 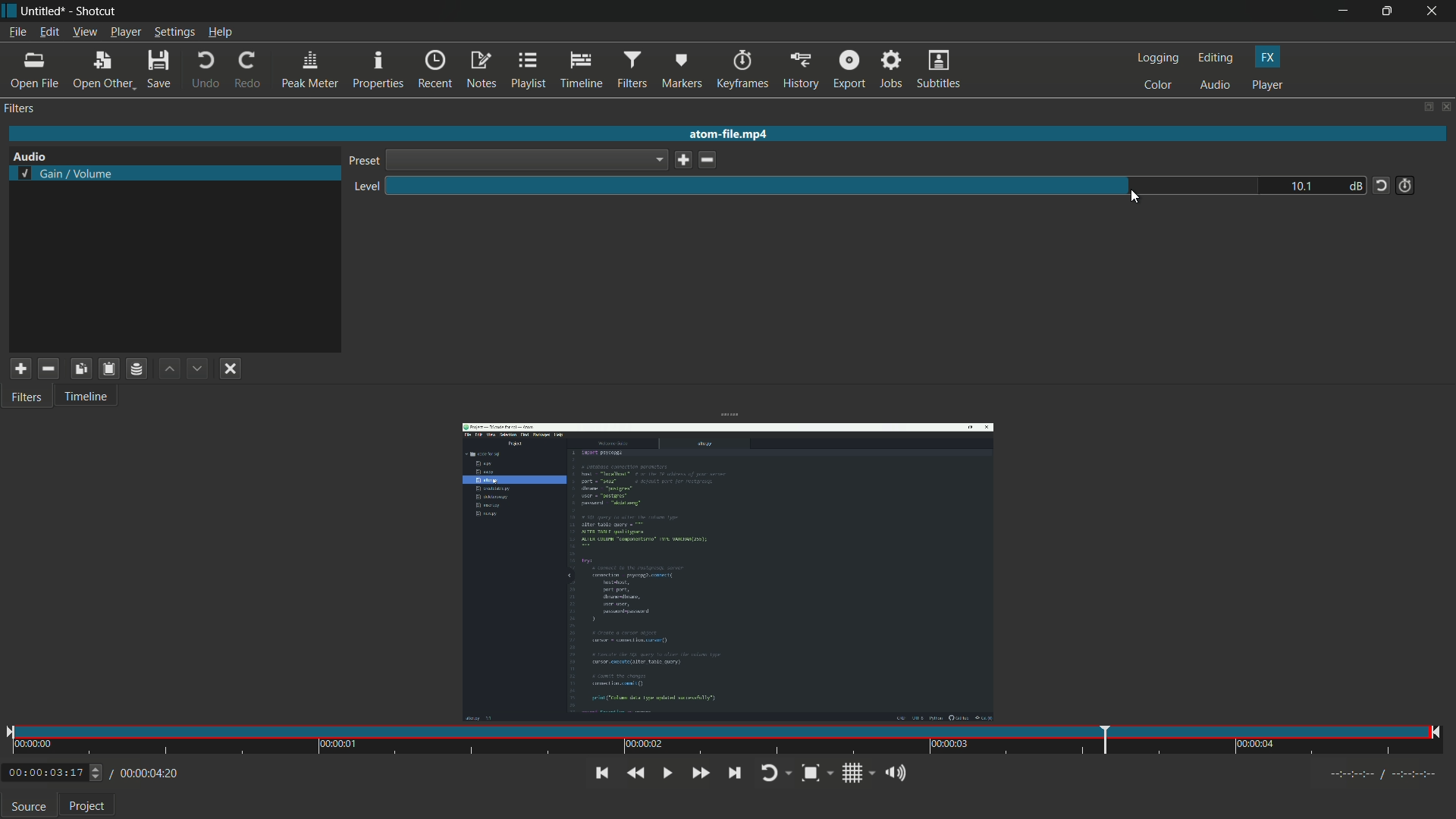 What do you see at coordinates (681, 161) in the screenshot?
I see `save` at bounding box center [681, 161].